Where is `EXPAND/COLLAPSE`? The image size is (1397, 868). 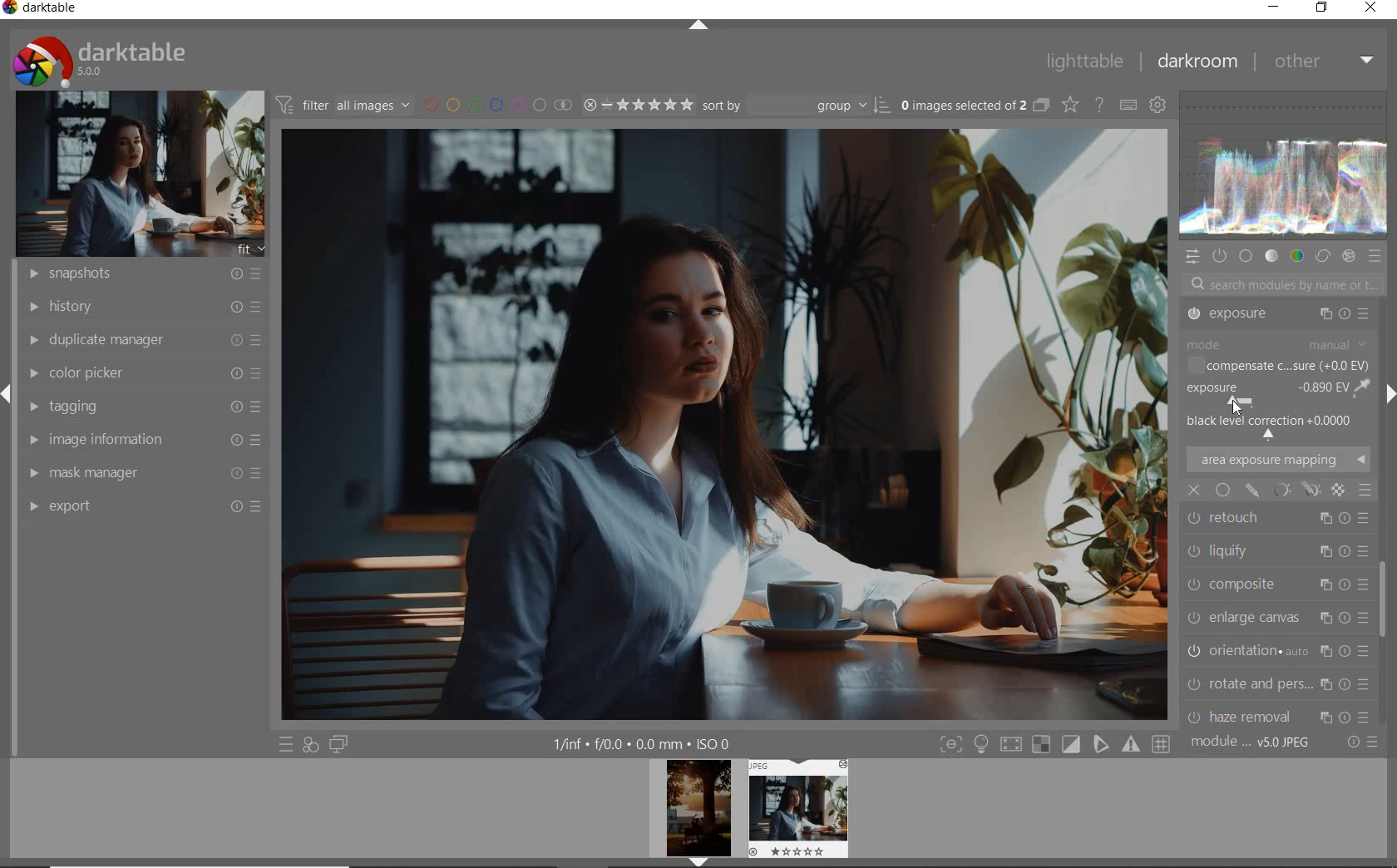 EXPAND/COLLAPSE is located at coordinates (1389, 394).